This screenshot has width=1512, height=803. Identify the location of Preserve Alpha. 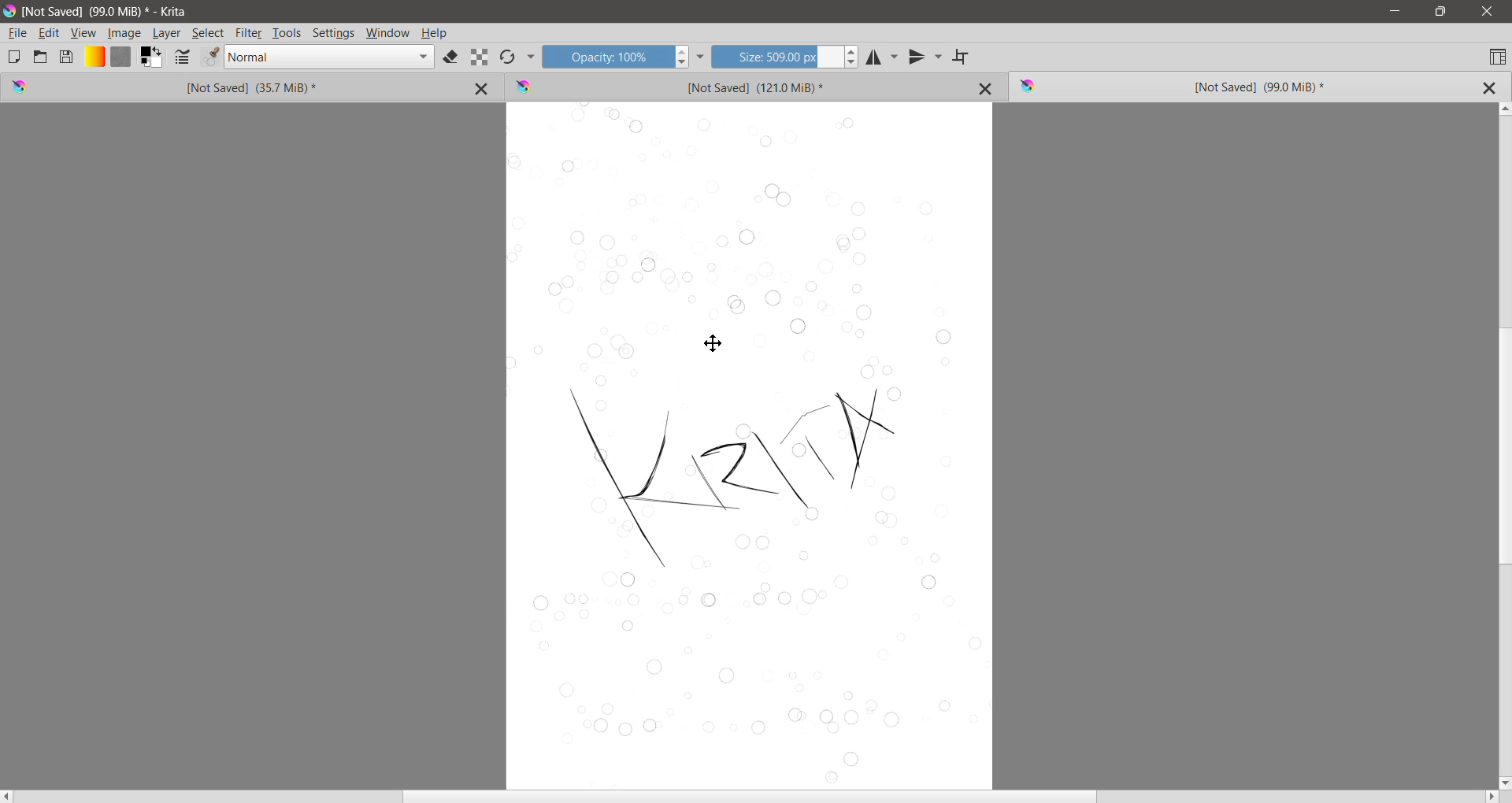
(480, 57).